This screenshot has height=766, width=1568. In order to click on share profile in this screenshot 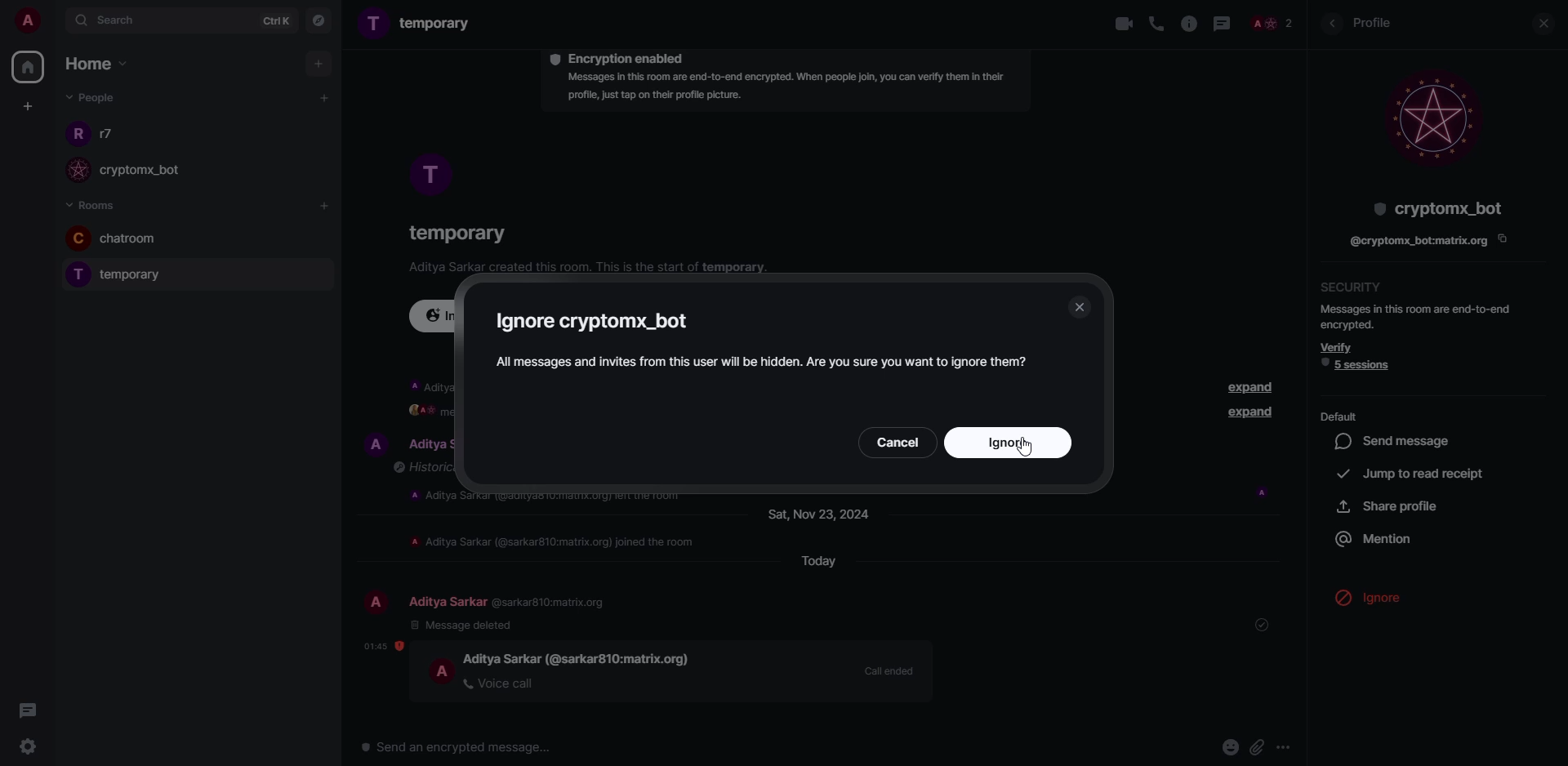, I will do `click(1388, 505)`.